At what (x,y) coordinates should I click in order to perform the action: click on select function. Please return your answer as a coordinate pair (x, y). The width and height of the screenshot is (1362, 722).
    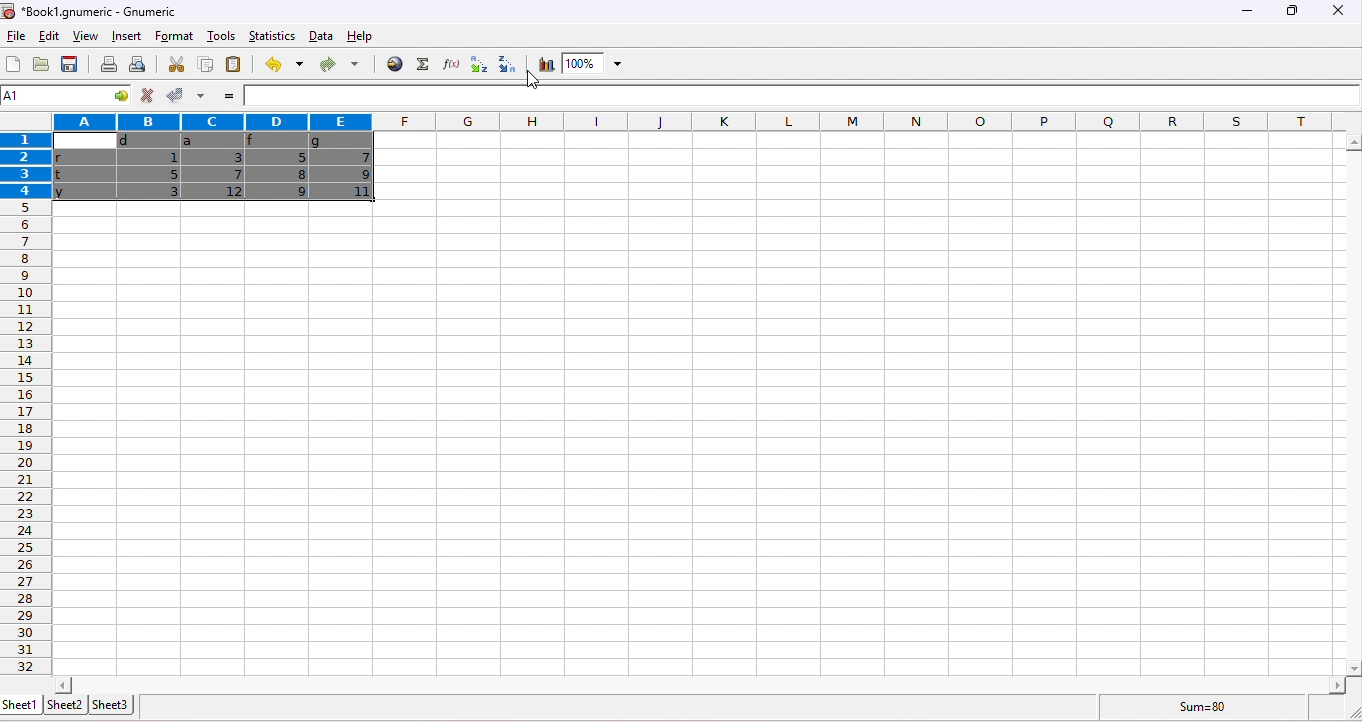
    Looking at the image, I should click on (421, 64).